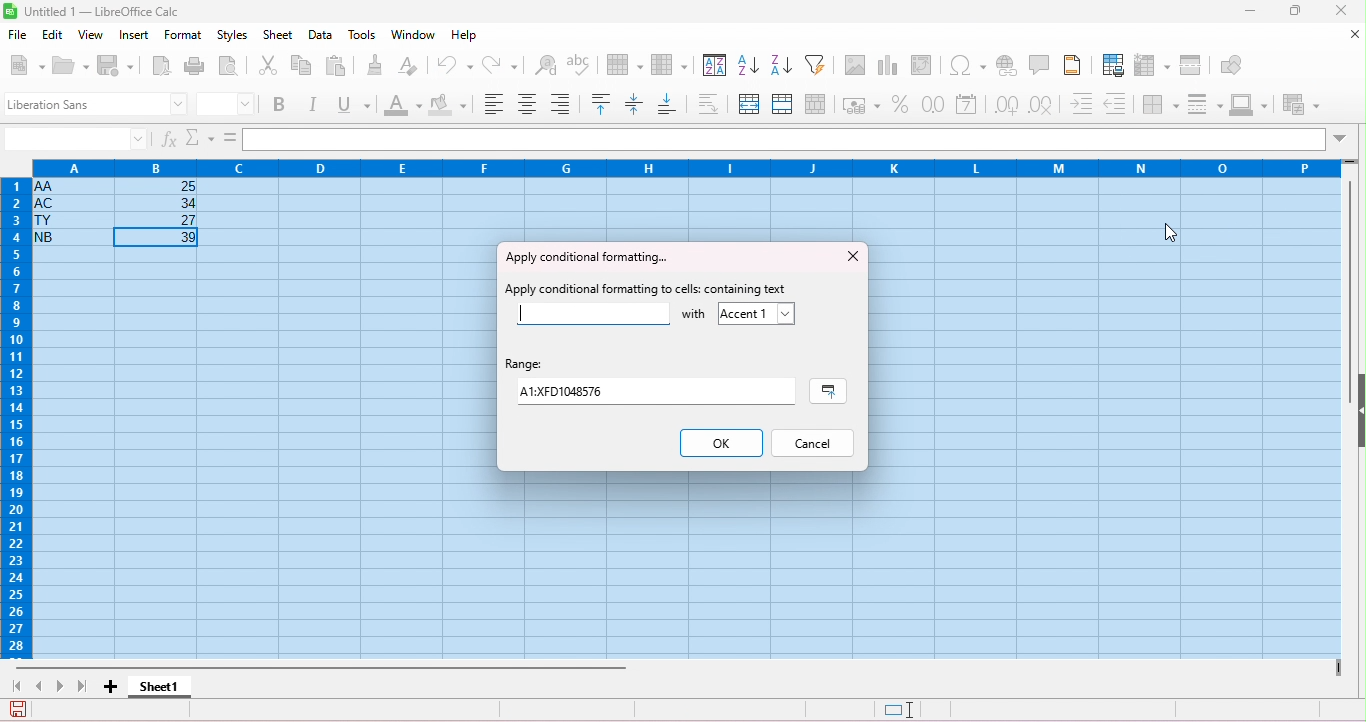 The image size is (1366, 722). Describe the element at coordinates (464, 35) in the screenshot. I see `help` at that location.